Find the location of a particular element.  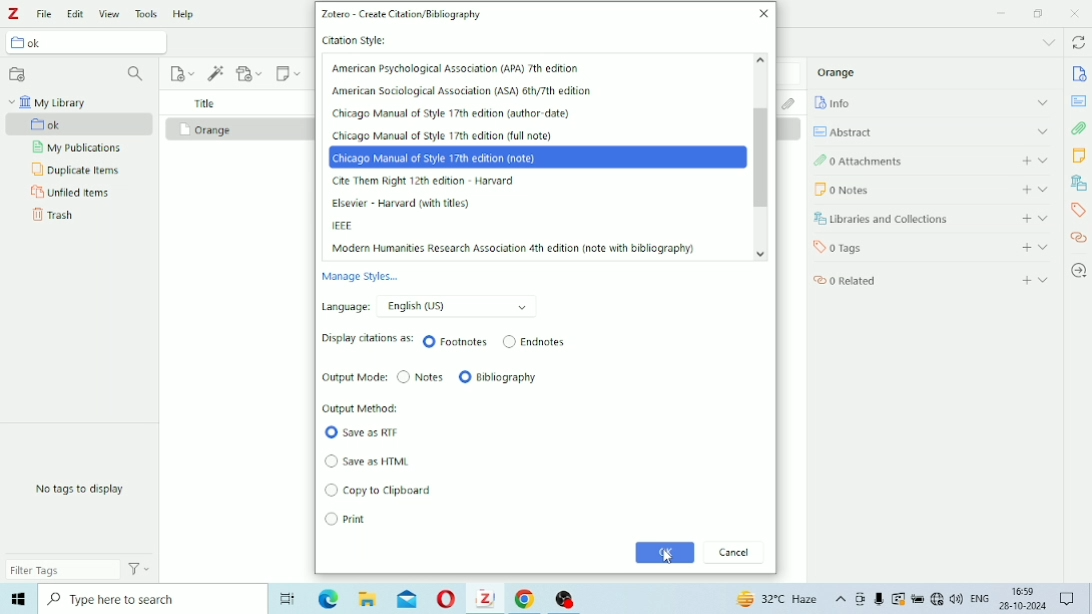

OK is located at coordinates (665, 552).